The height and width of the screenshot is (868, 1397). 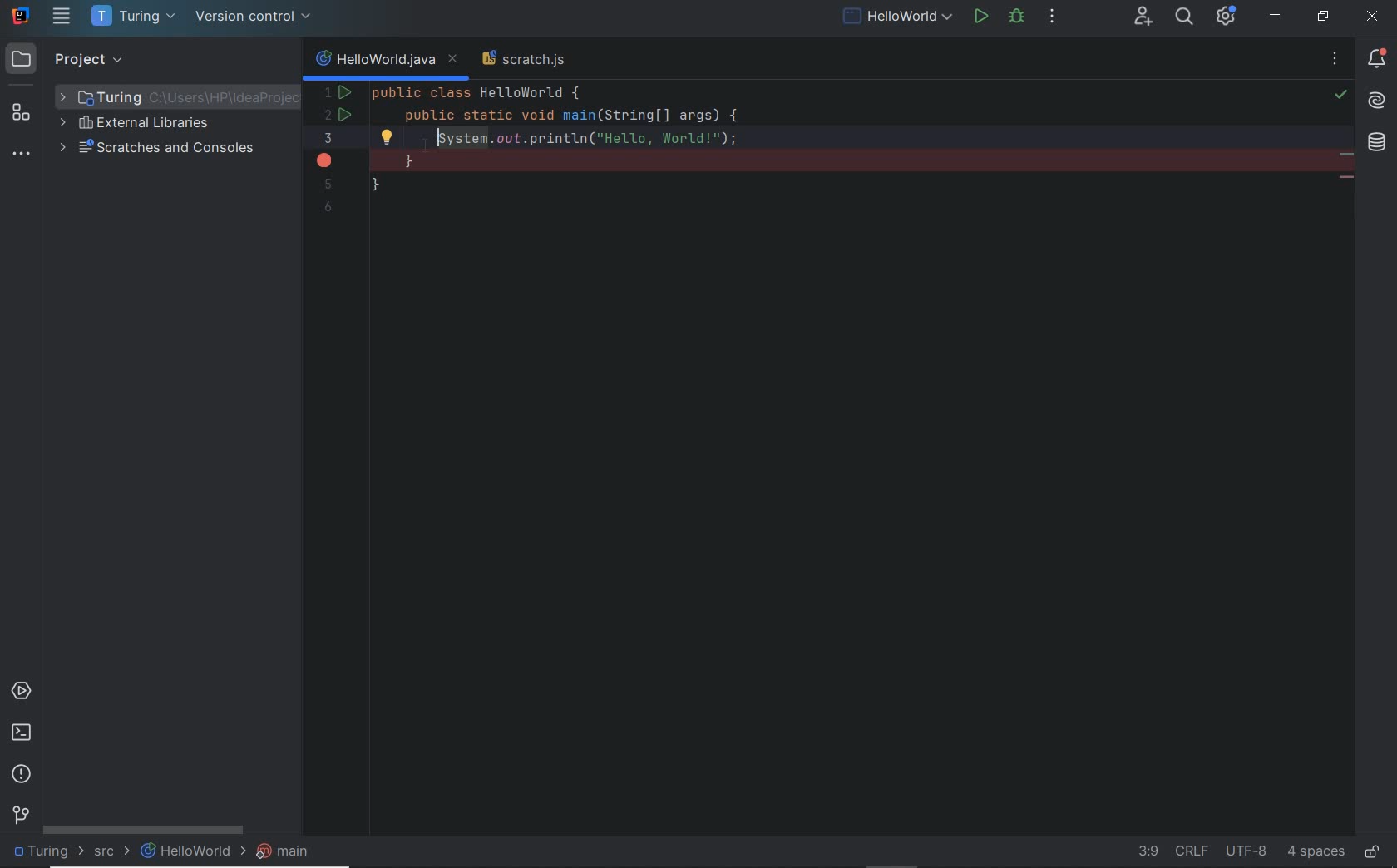 I want to click on line separator, so click(x=1193, y=850).